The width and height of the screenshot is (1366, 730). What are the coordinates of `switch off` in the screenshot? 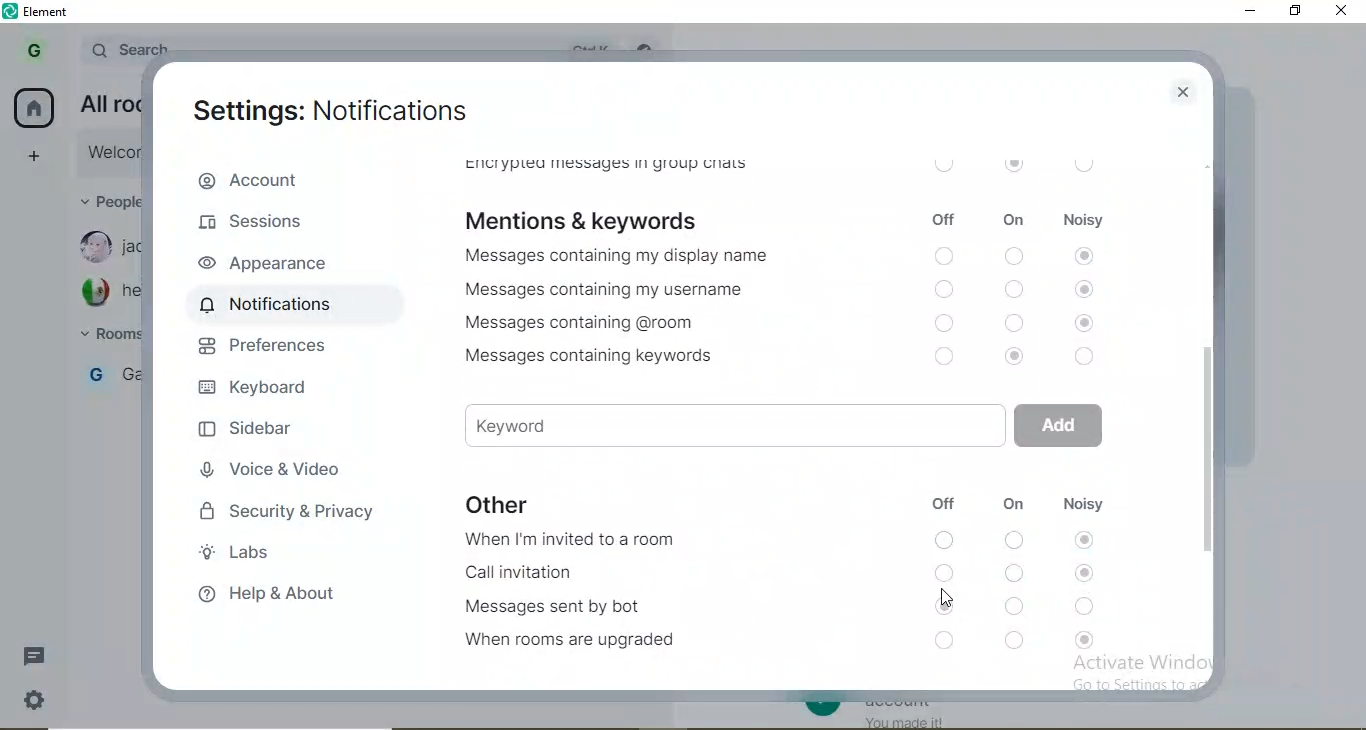 It's located at (949, 361).